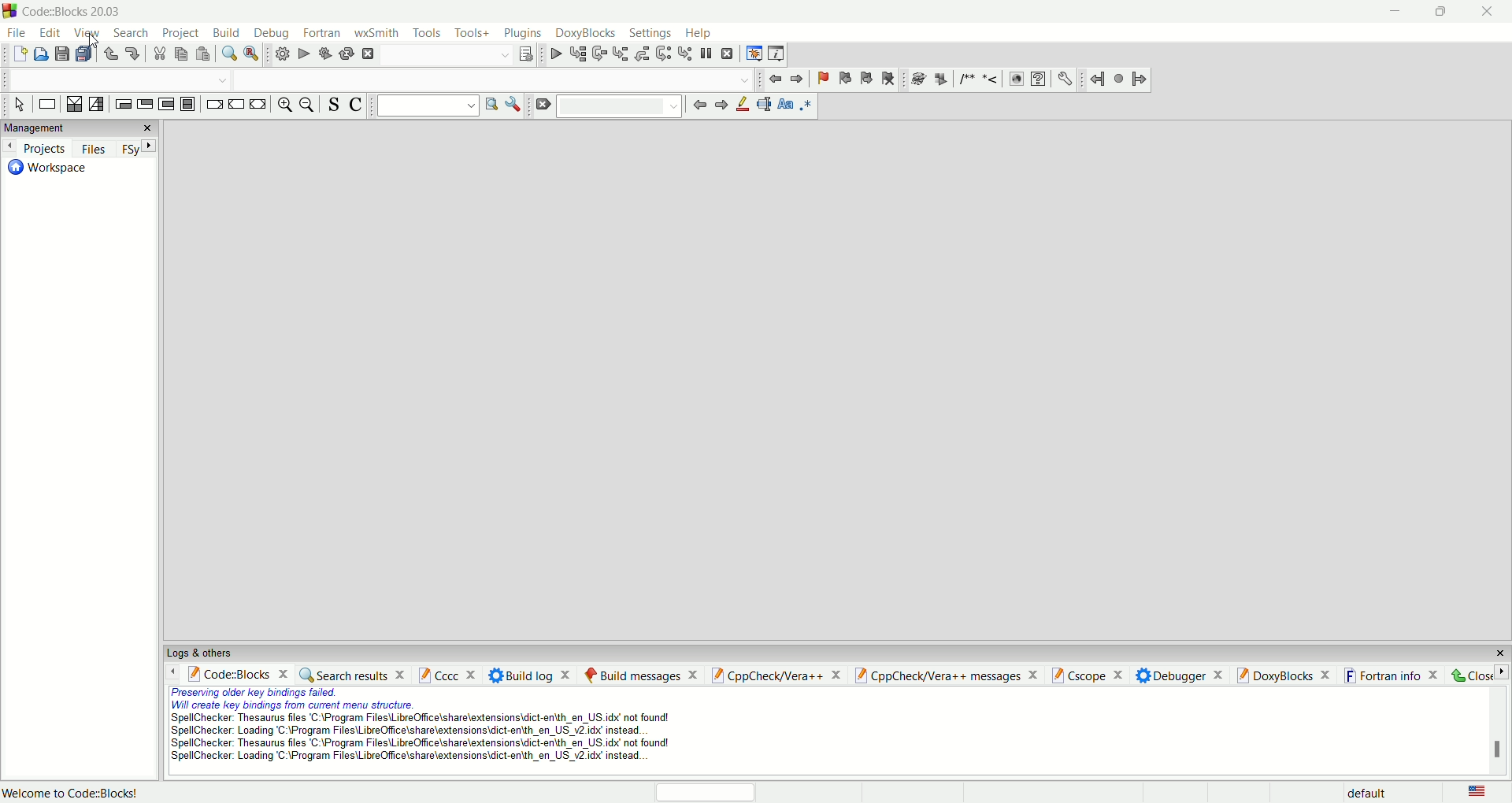 This screenshot has height=803, width=1512. I want to click on Search, so click(445, 56).